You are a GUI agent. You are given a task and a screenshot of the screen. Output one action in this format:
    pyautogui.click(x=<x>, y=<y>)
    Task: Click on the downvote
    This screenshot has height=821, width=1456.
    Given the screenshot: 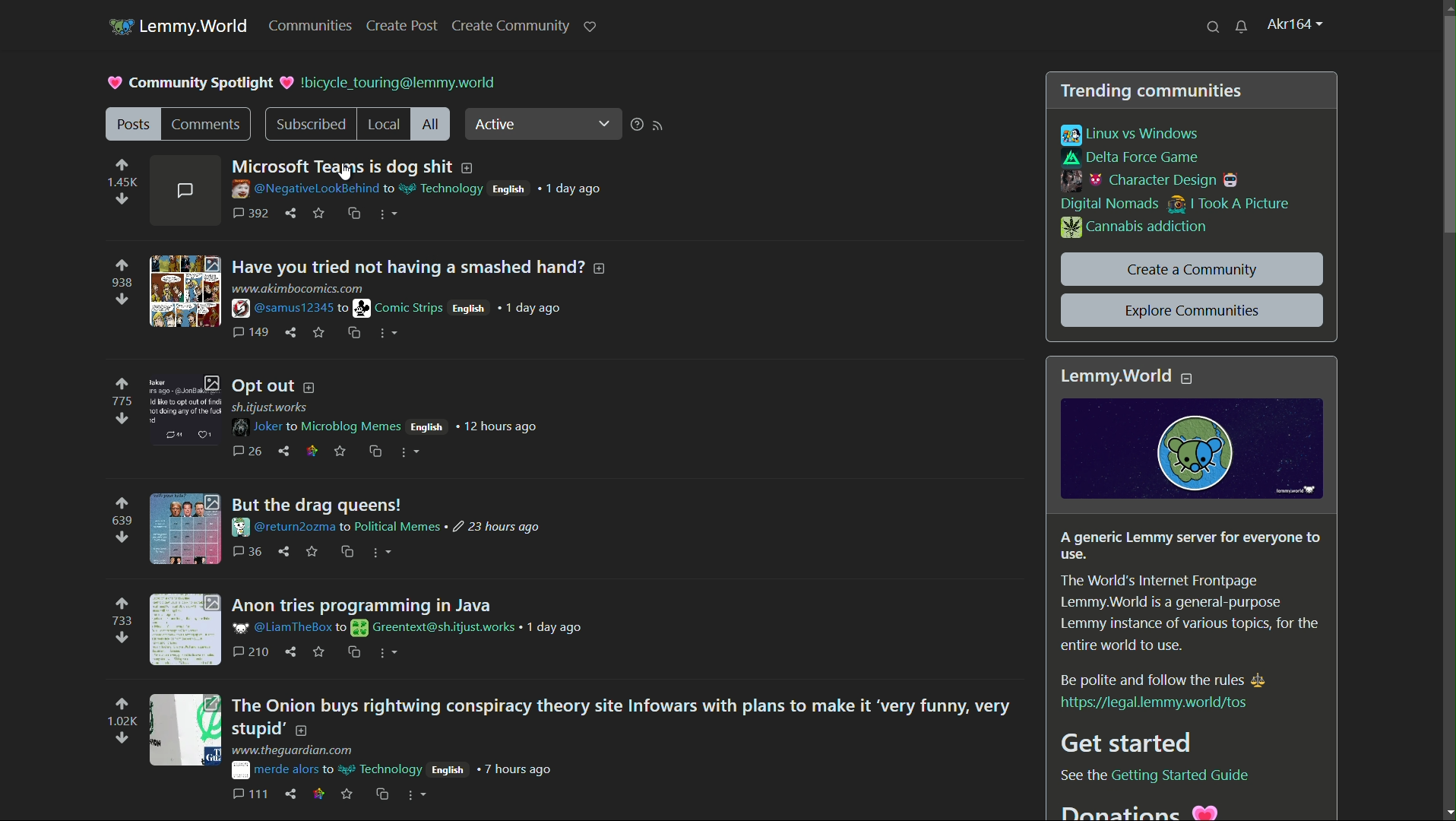 What is the action you would take?
    pyautogui.click(x=121, y=637)
    